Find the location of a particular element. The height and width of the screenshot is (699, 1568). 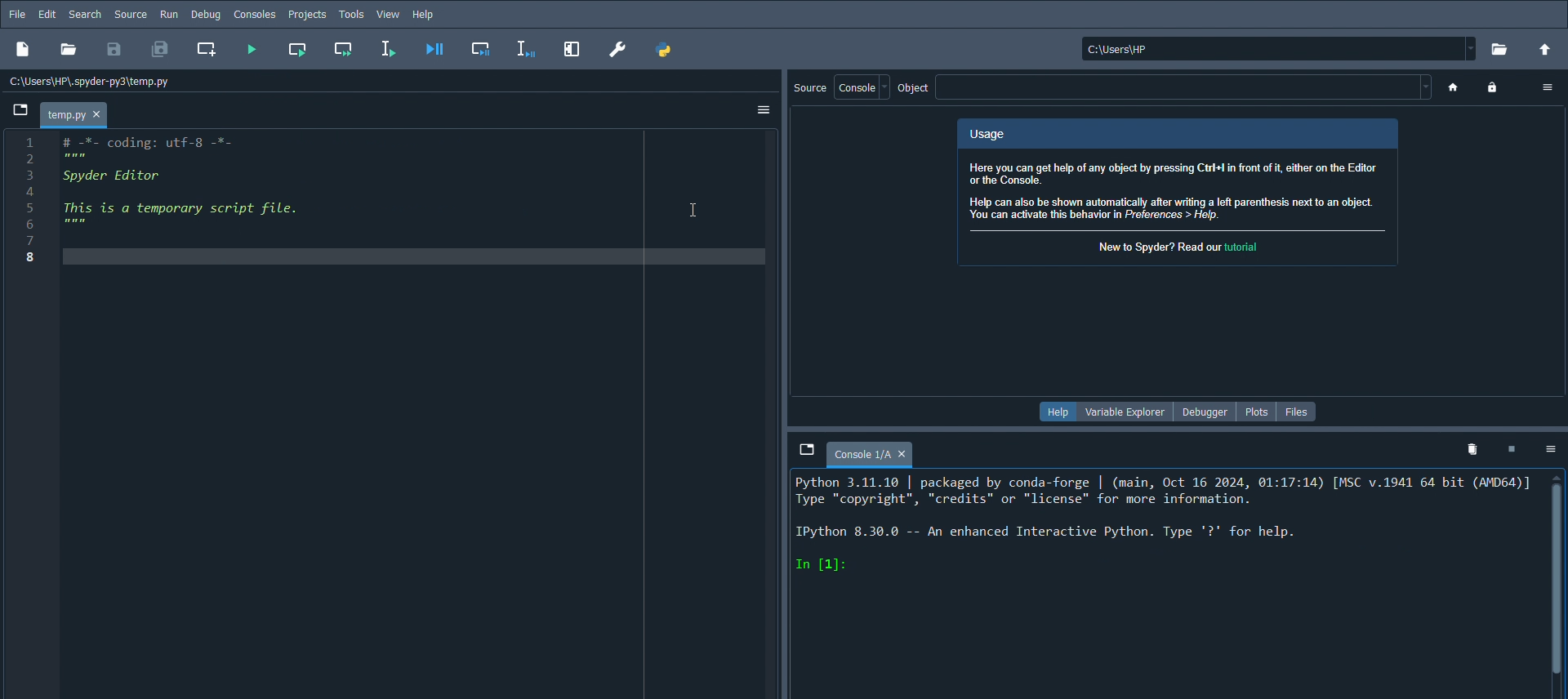

Run current cell is located at coordinates (298, 48).